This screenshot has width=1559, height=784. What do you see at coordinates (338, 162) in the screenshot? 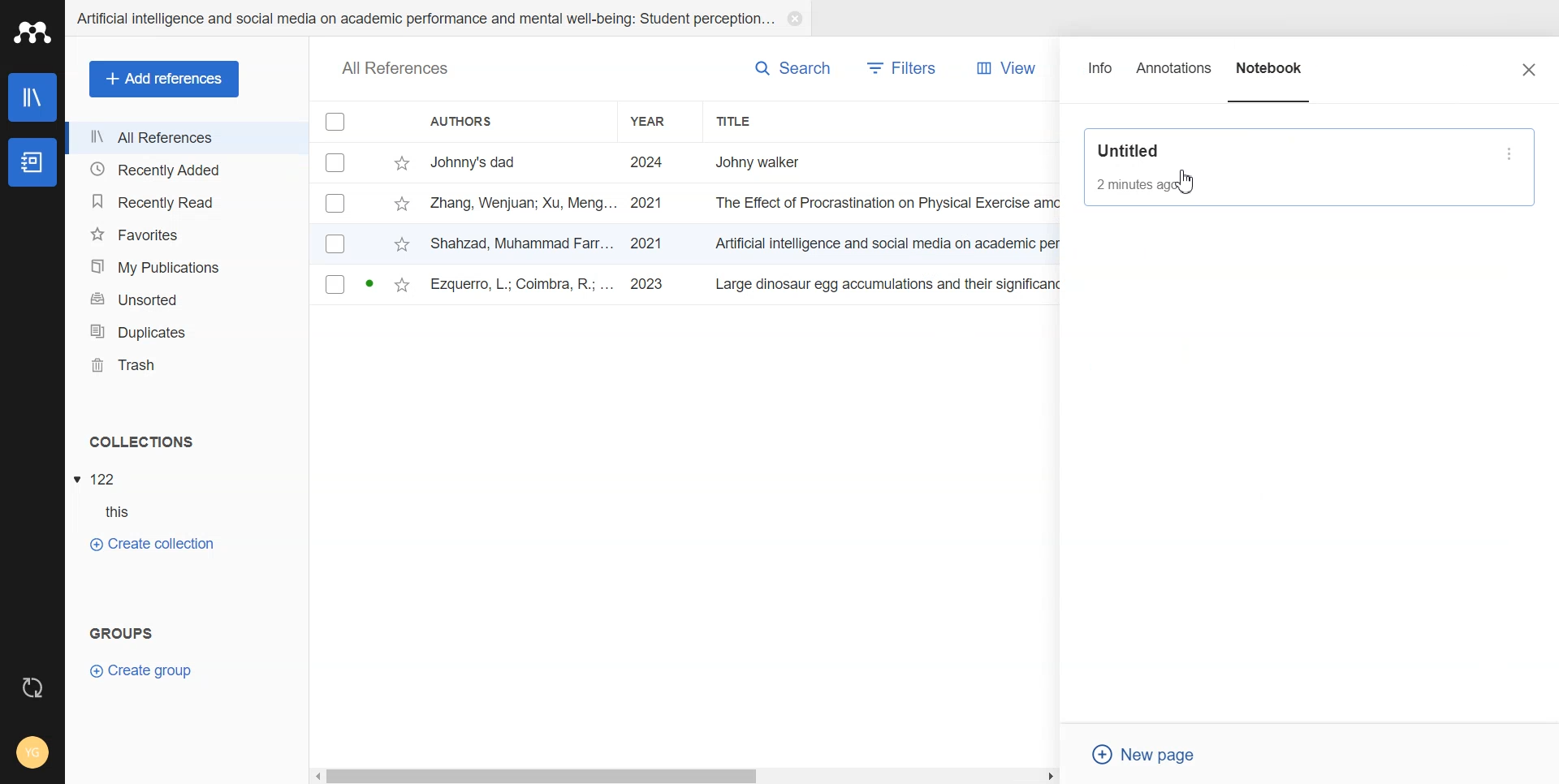
I see `Checkbox` at bounding box center [338, 162].